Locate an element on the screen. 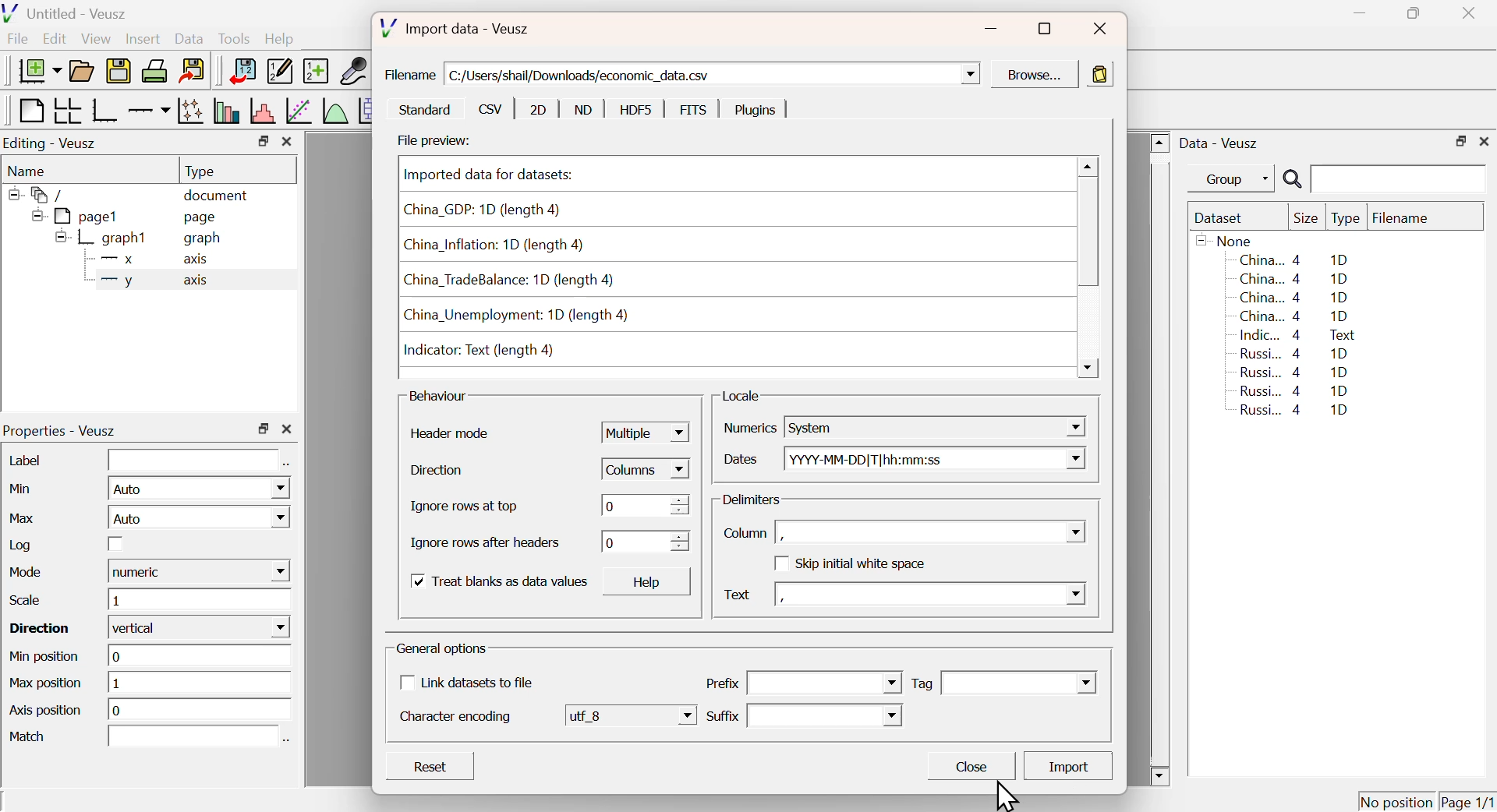  Dropdown is located at coordinates (823, 715).